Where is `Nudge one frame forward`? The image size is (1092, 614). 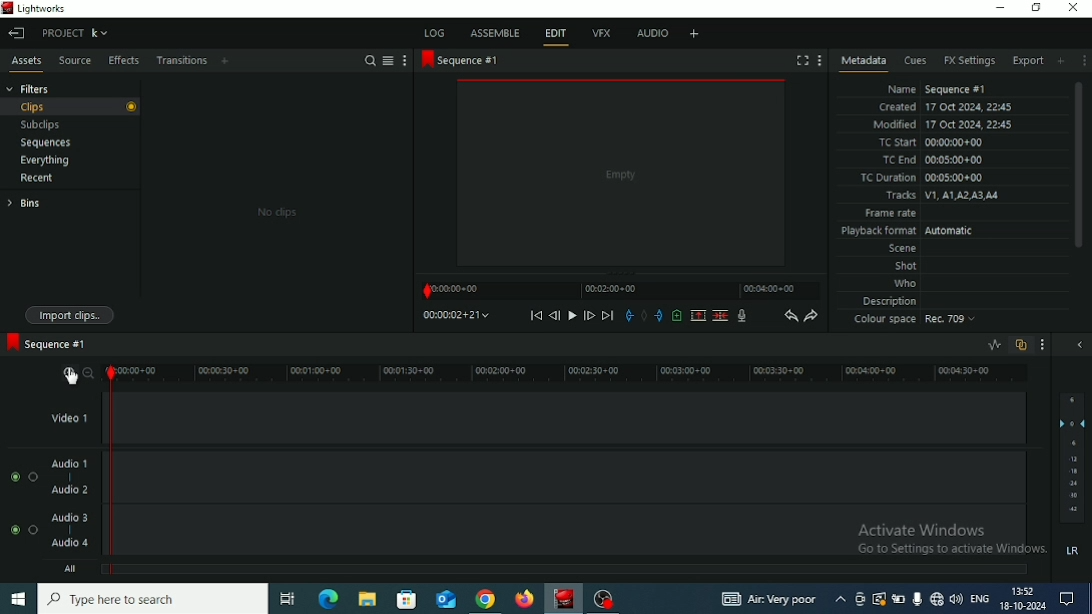
Nudge one frame forward is located at coordinates (589, 317).